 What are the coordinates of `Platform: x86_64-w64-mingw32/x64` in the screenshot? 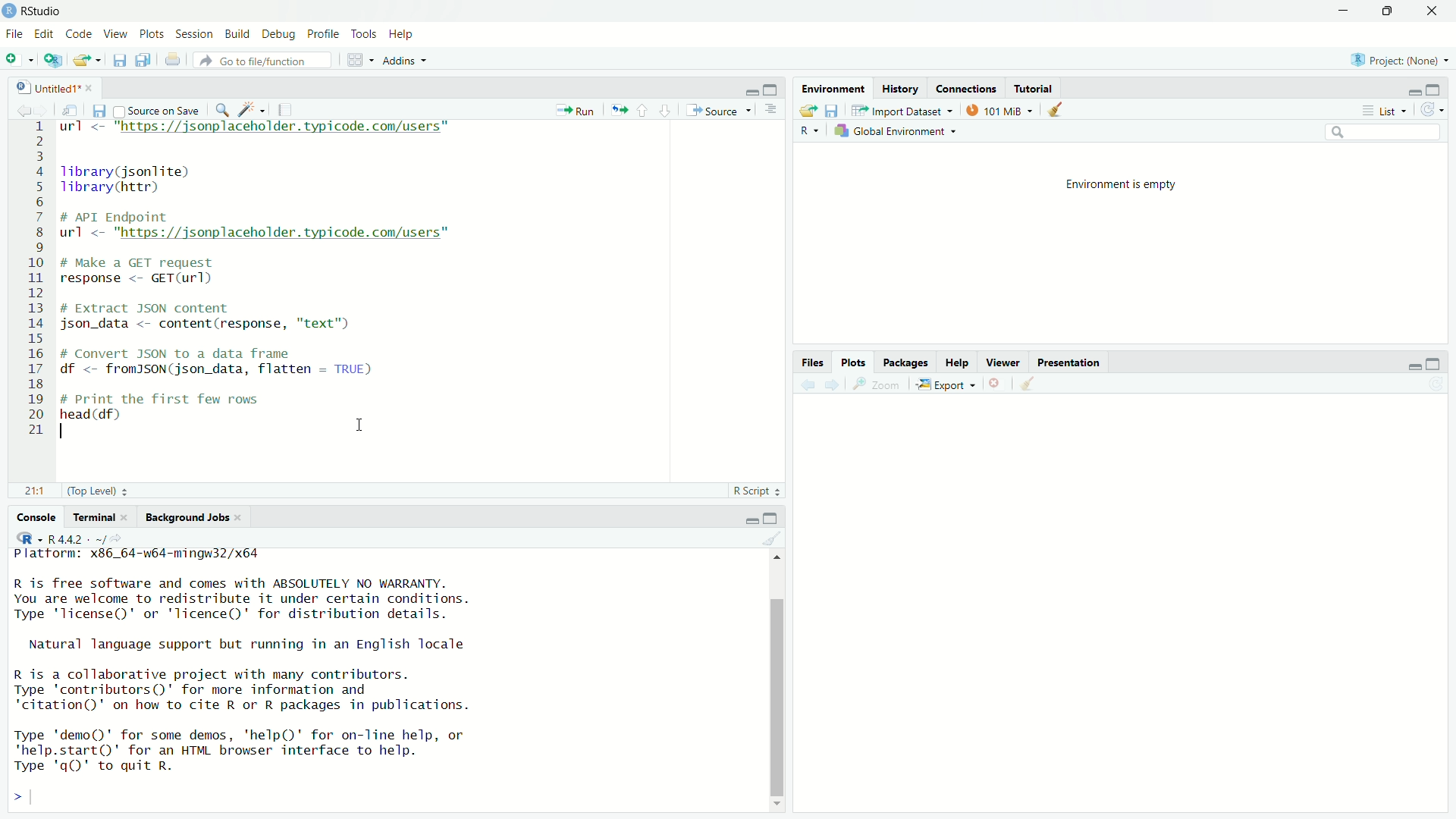 It's located at (138, 557).